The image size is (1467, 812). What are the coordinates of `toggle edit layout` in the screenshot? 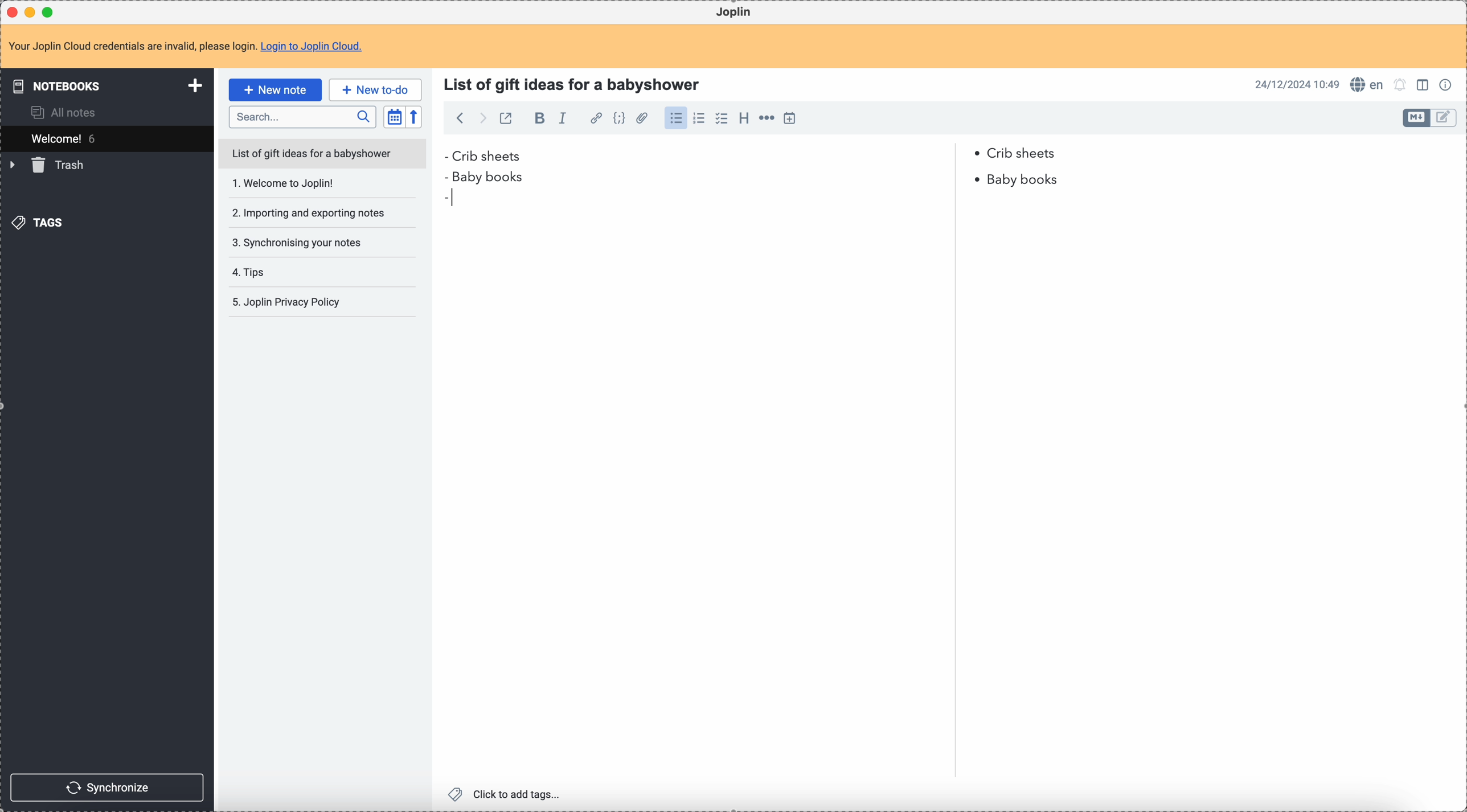 It's located at (1444, 118).